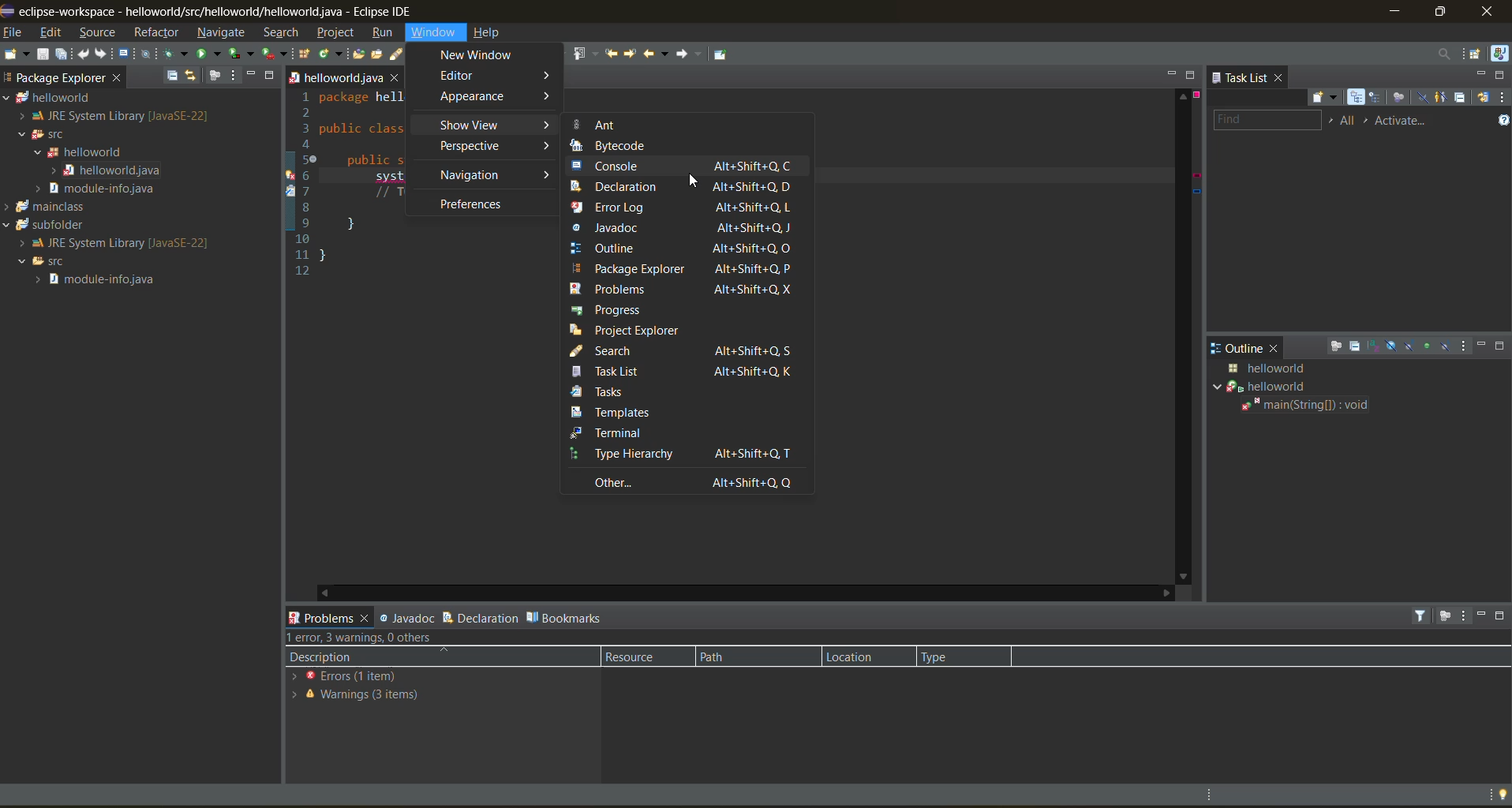 The image size is (1512, 808). Describe the element at coordinates (1474, 56) in the screenshot. I see `open perspective` at that location.